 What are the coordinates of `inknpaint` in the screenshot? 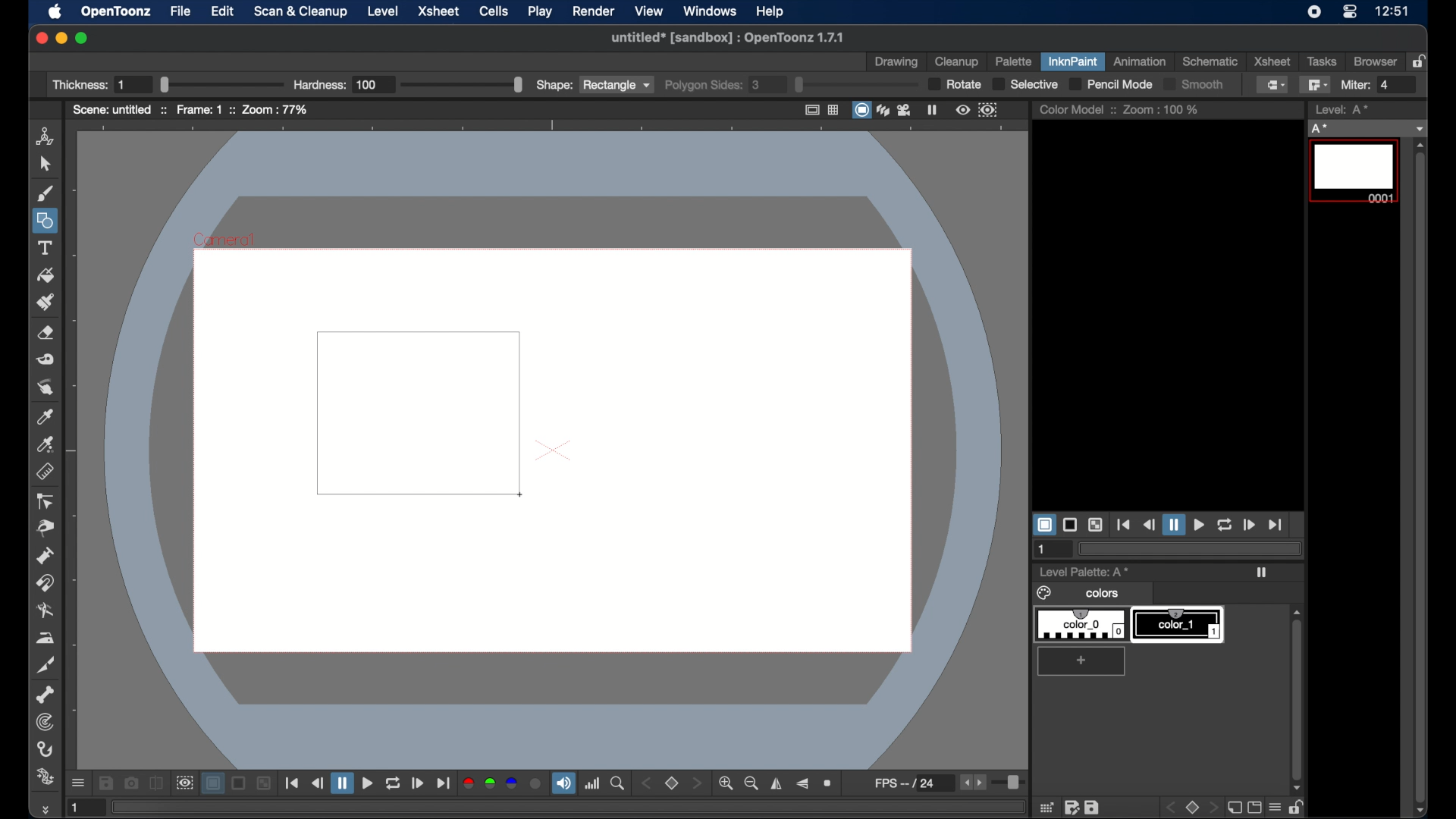 It's located at (1072, 61).